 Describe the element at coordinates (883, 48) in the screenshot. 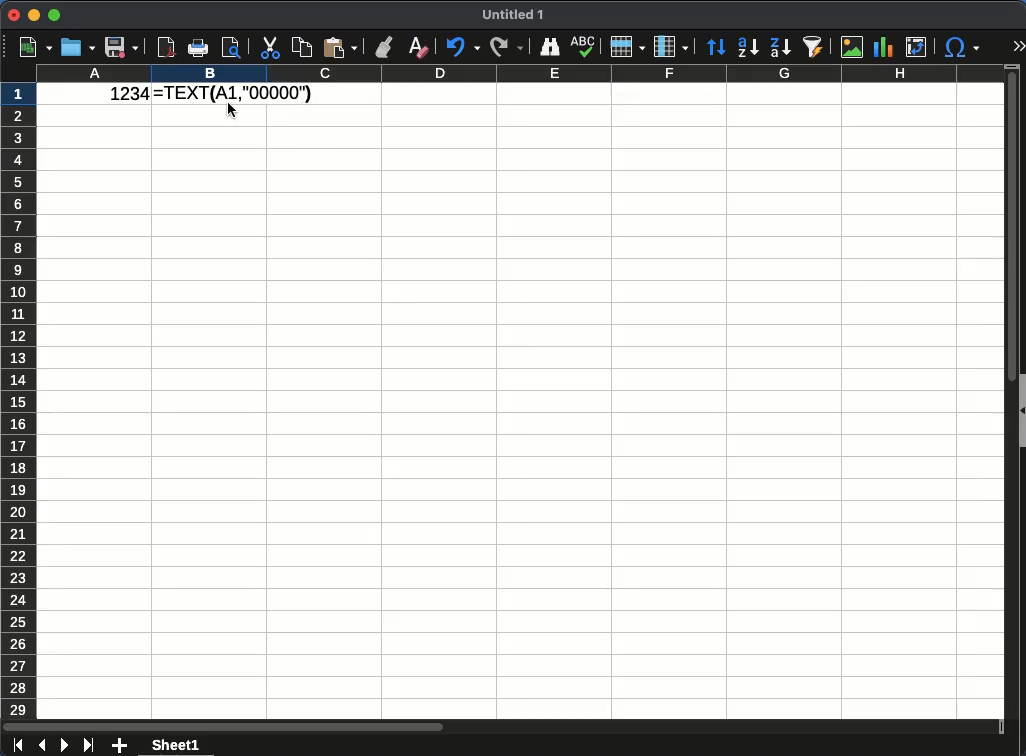

I see `chart` at that location.